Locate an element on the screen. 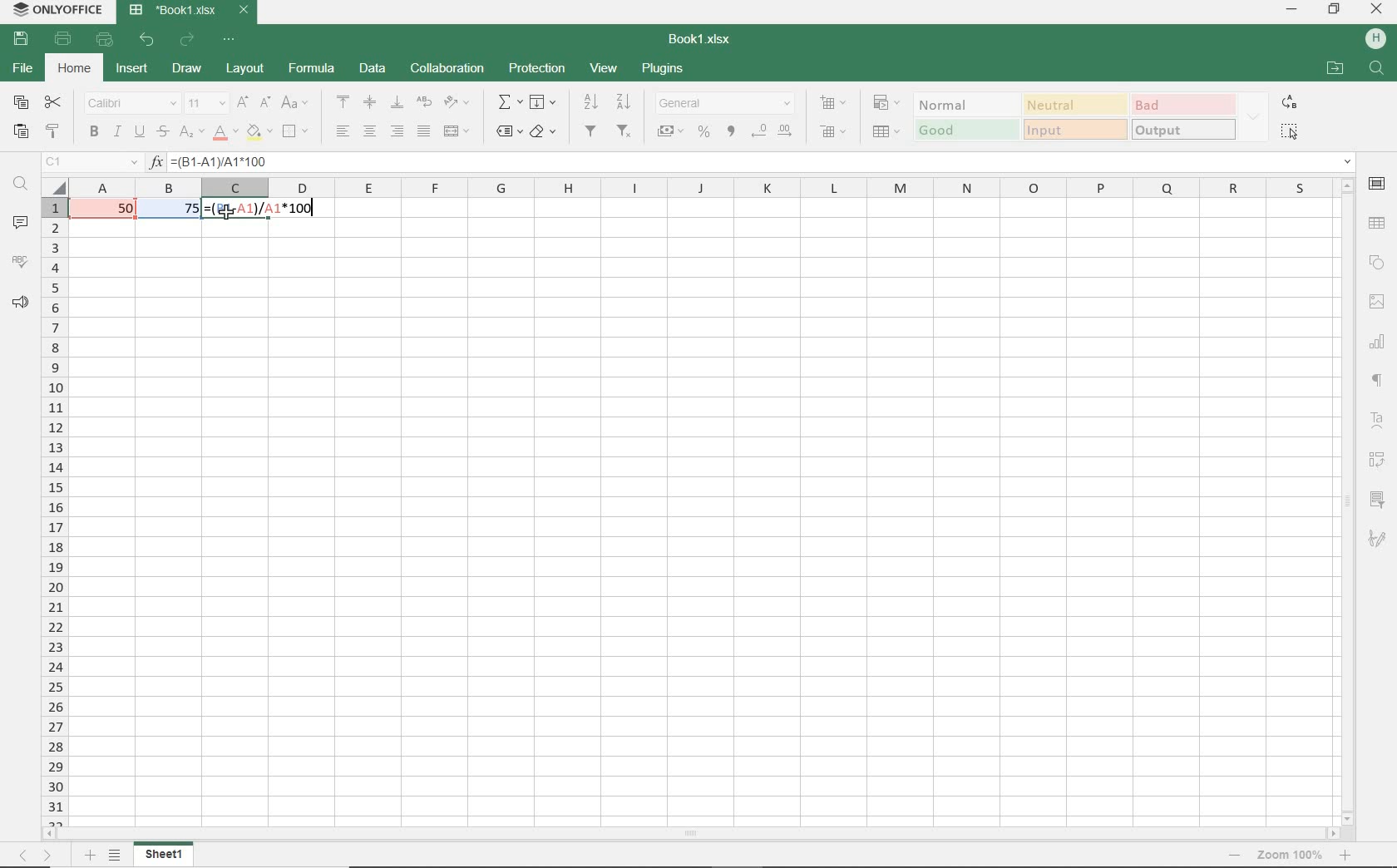  italic is located at coordinates (116, 132).